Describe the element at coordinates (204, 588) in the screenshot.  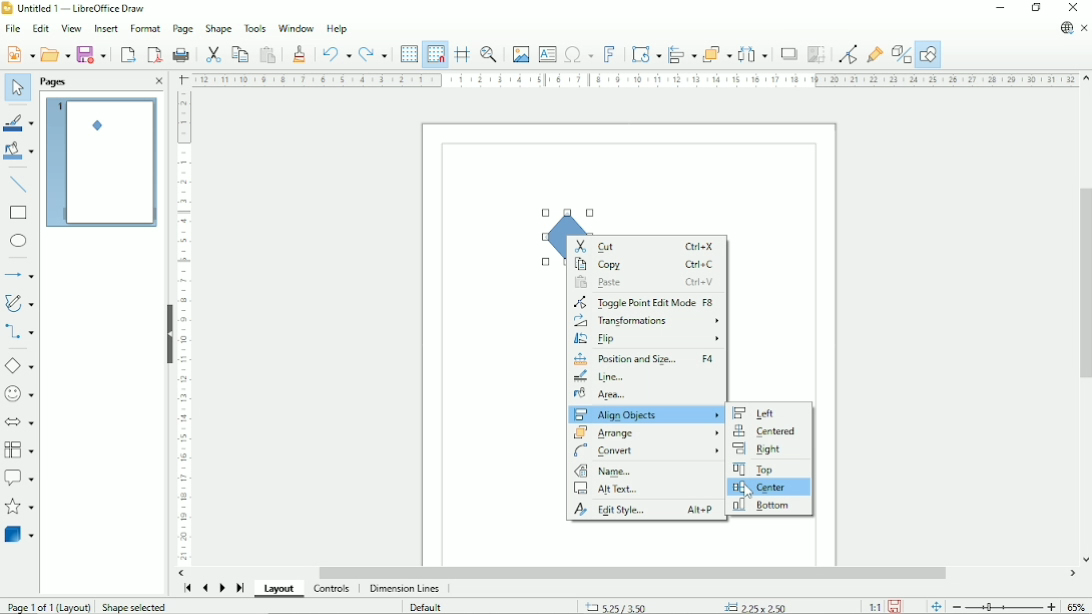
I see `Scroll to previous page` at that location.